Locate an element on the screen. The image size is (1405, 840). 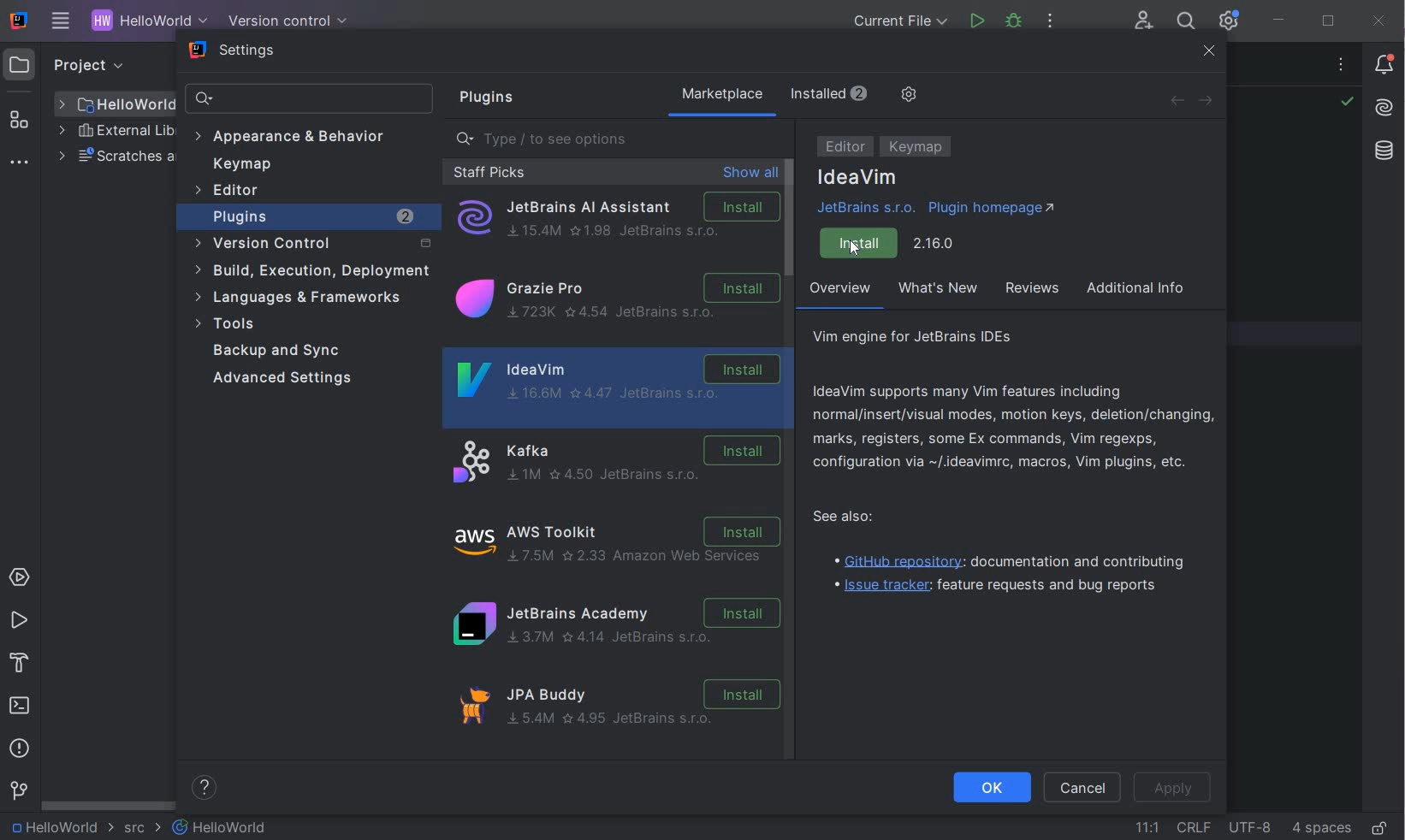
RUN is located at coordinates (977, 21).